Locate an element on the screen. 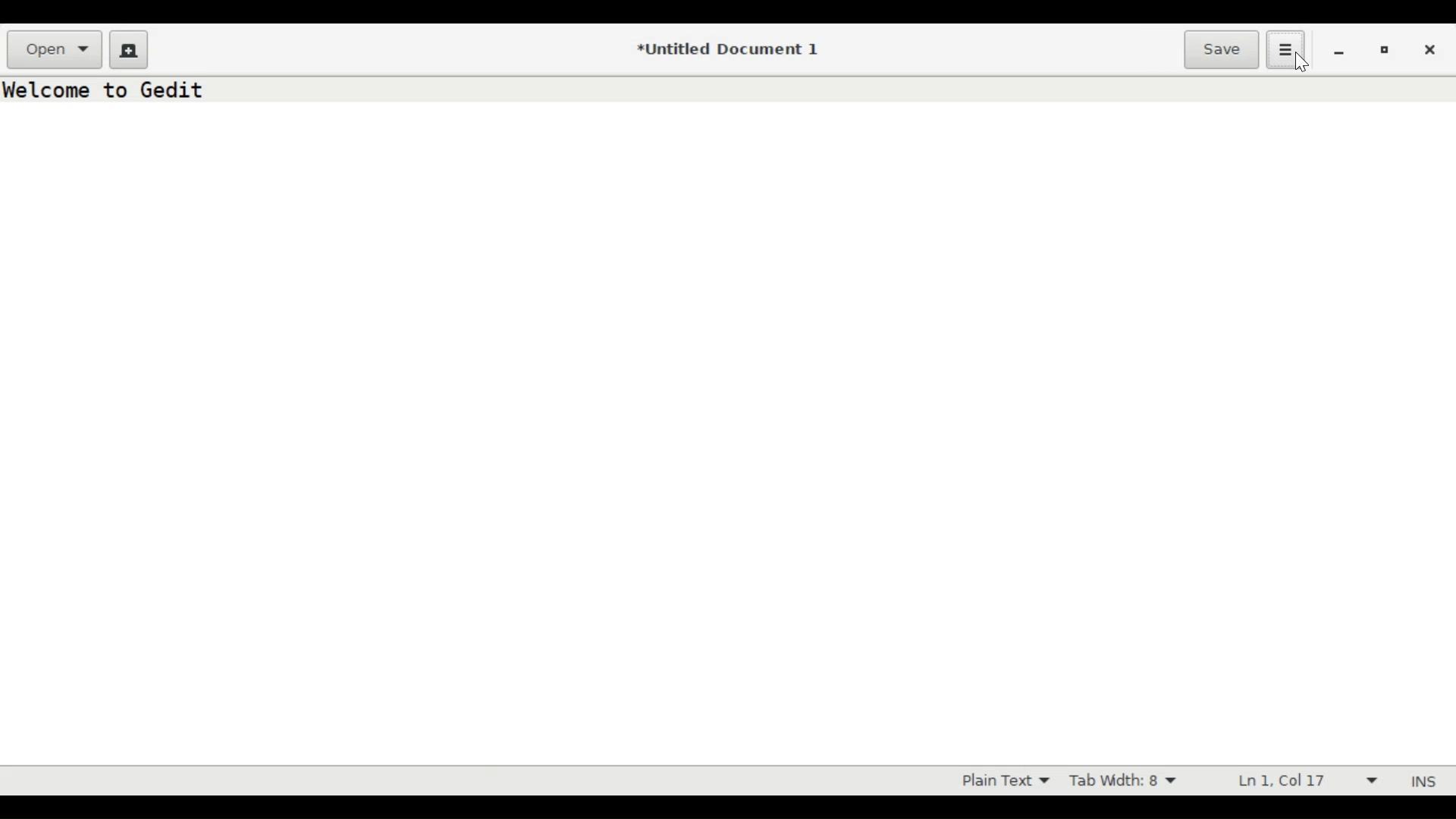  INS is located at coordinates (1419, 781).